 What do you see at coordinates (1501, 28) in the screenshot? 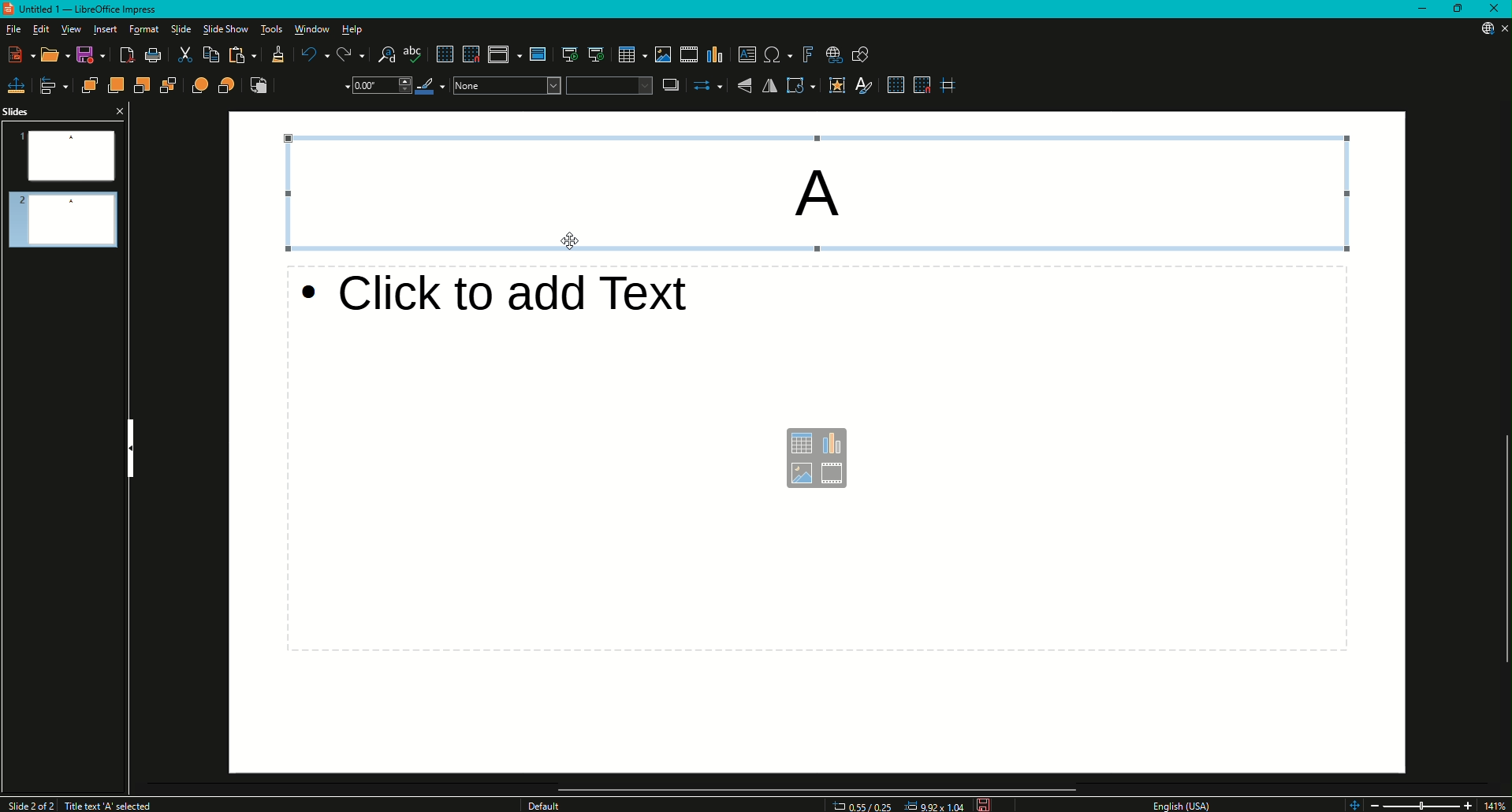
I see `Close Presentation` at bounding box center [1501, 28].